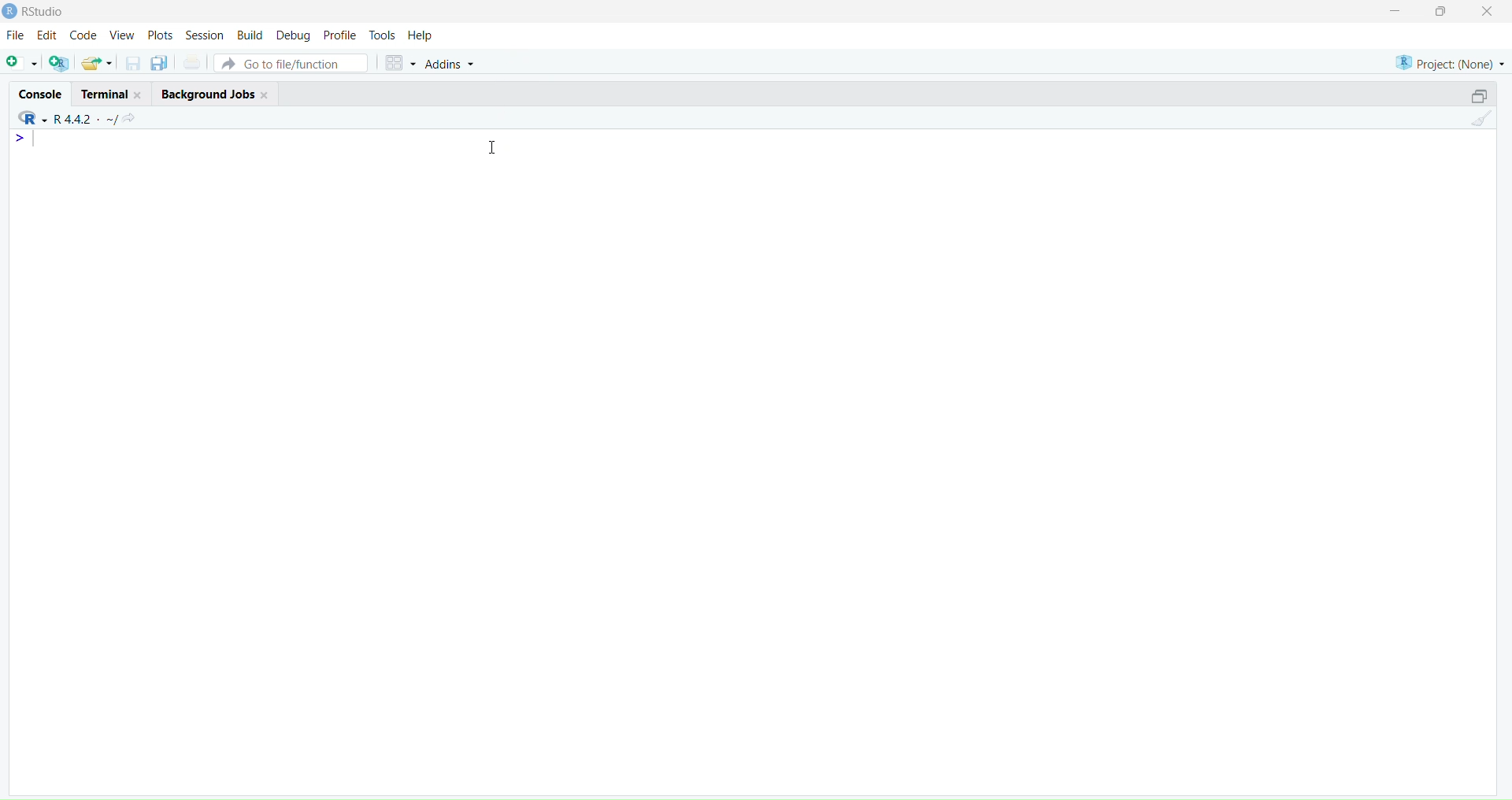 Image resolution: width=1512 pixels, height=800 pixels. Describe the element at coordinates (161, 63) in the screenshot. I see `save all open documents` at that location.